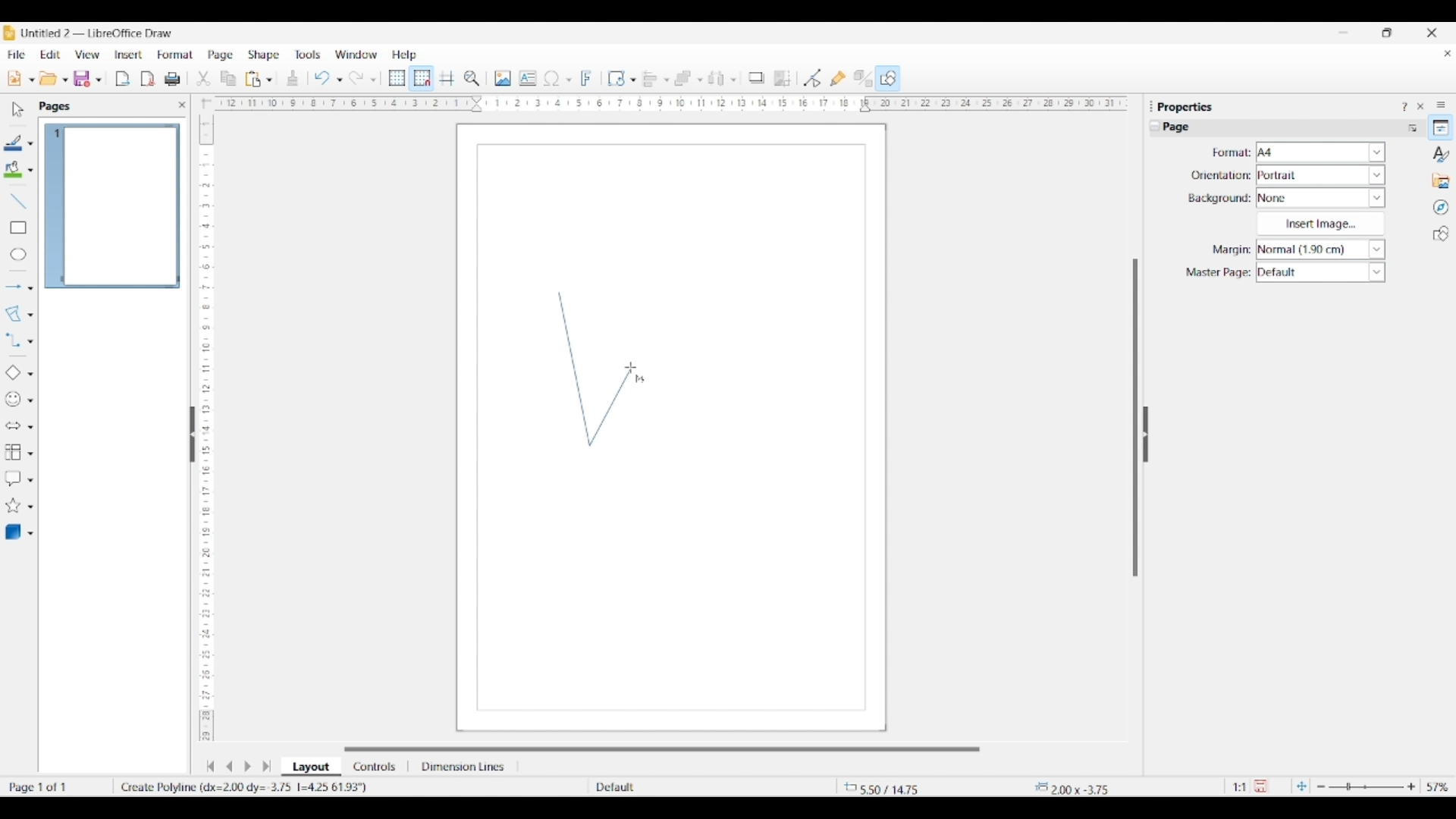 The height and width of the screenshot is (819, 1456). Describe the element at coordinates (1344, 33) in the screenshot. I see `Minimize` at that location.